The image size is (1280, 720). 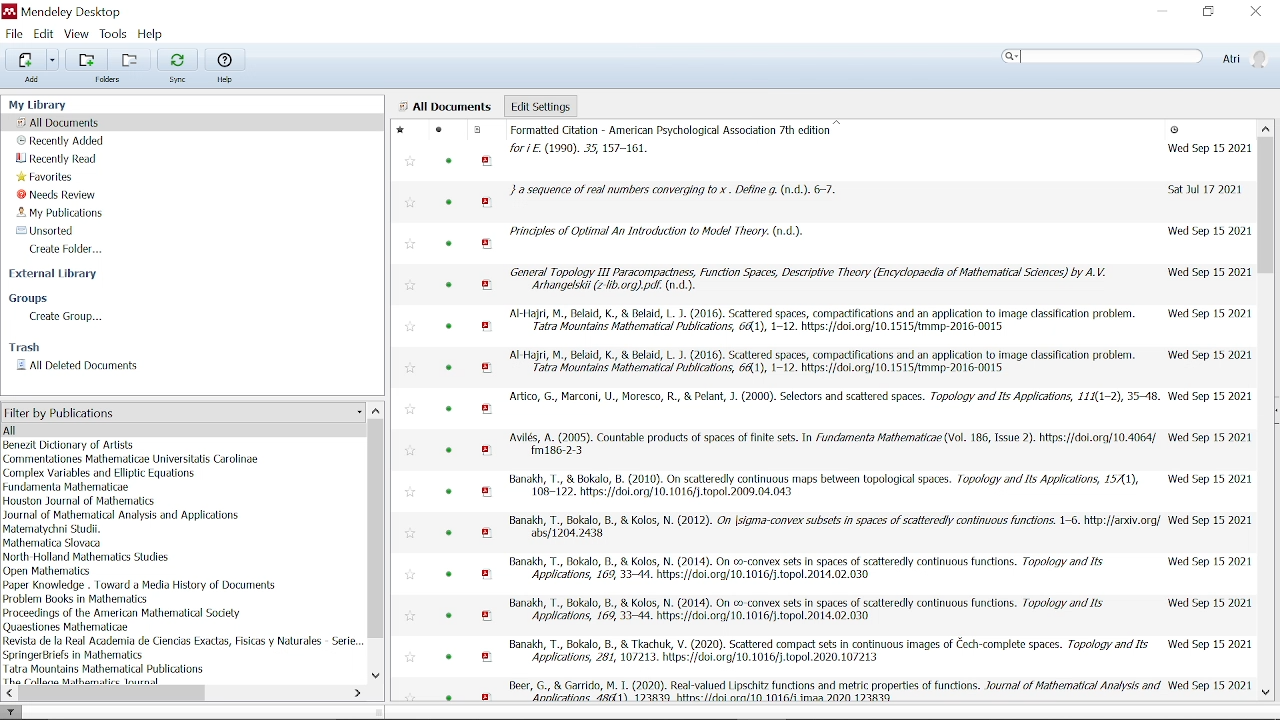 What do you see at coordinates (825, 364) in the screenshot?
I see `citation` at bounding box center [825, 364].